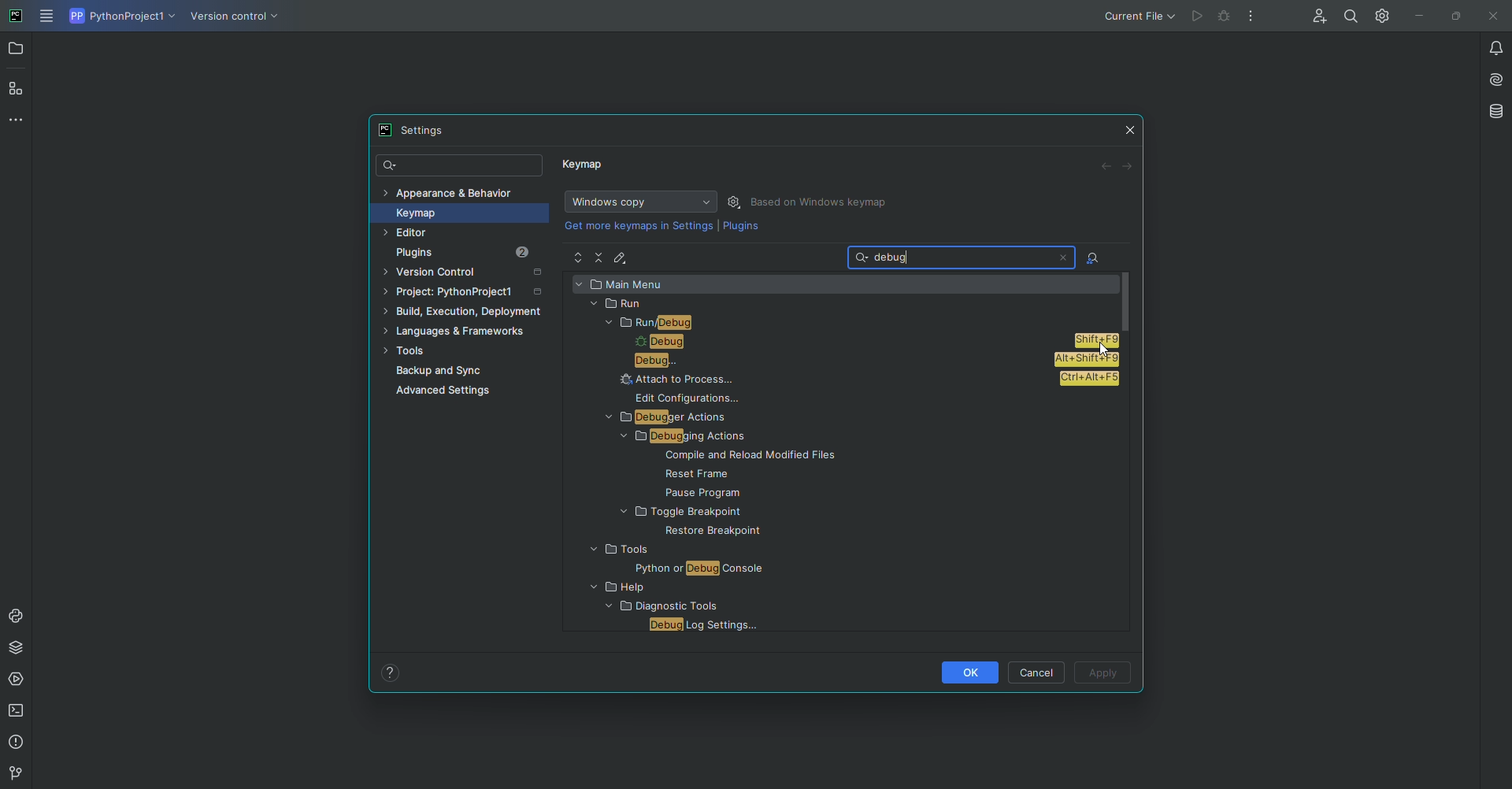 The height and width of the screenshot is (789, 1512). Describe the element at coordinates (854, 323) in the screenshot. I see `RUN DEBUG` at that location.